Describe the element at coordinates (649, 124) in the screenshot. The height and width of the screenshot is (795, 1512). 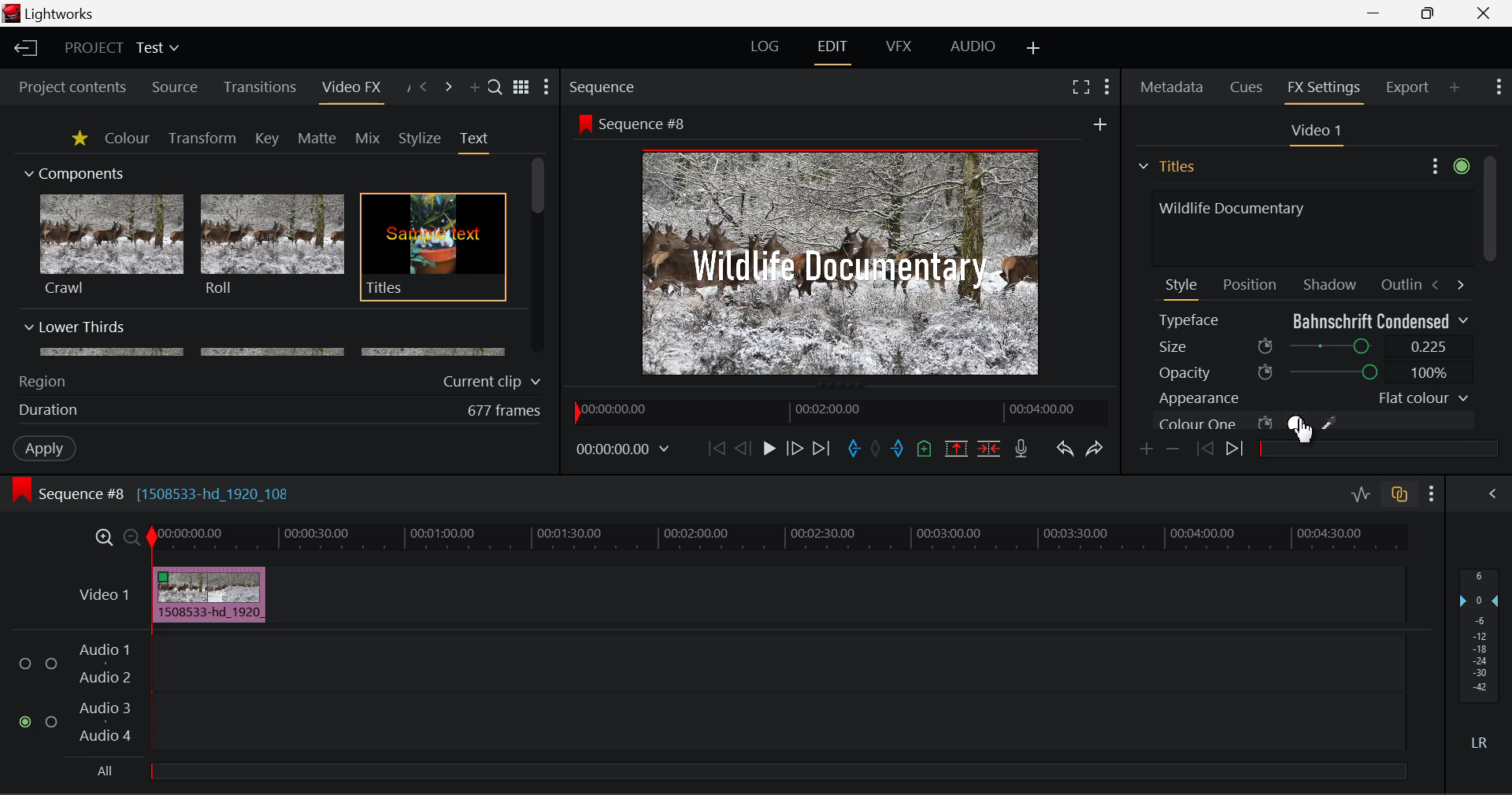
I see `Sequence #8` at that location.